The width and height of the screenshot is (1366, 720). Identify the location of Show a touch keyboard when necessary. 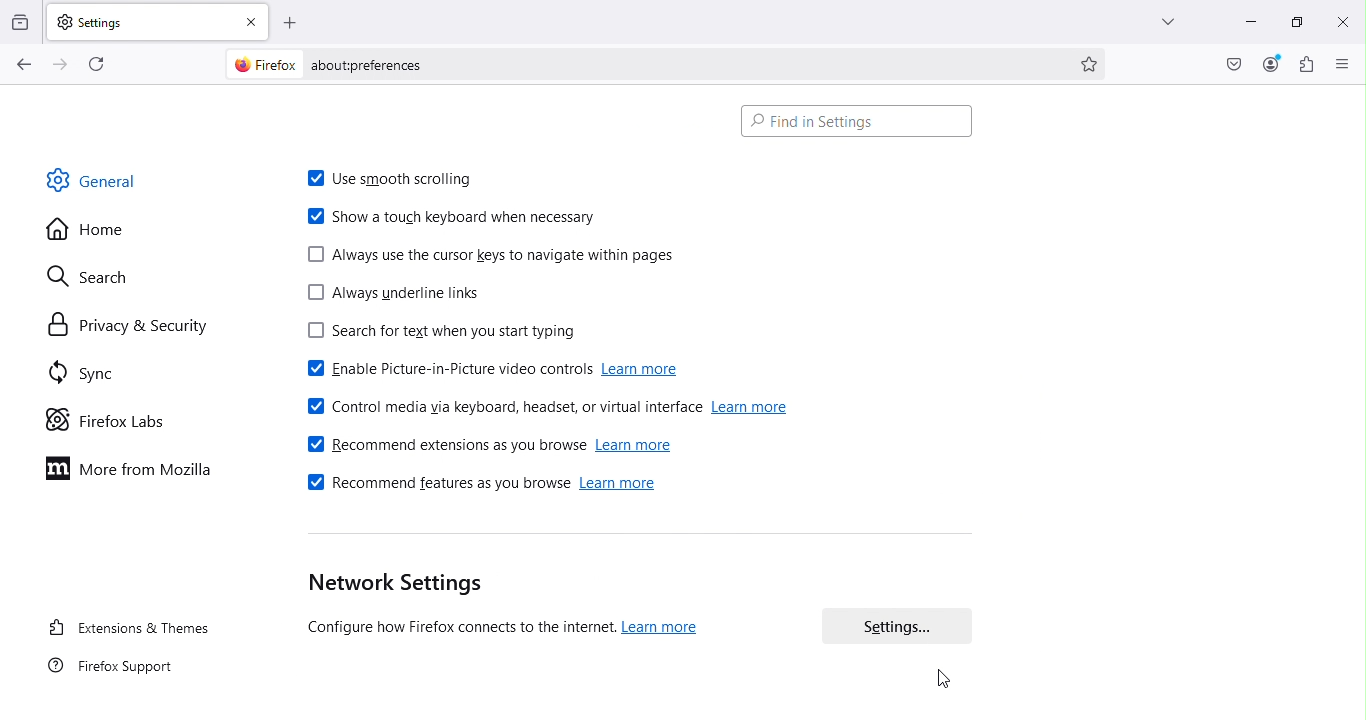
(448, 219).